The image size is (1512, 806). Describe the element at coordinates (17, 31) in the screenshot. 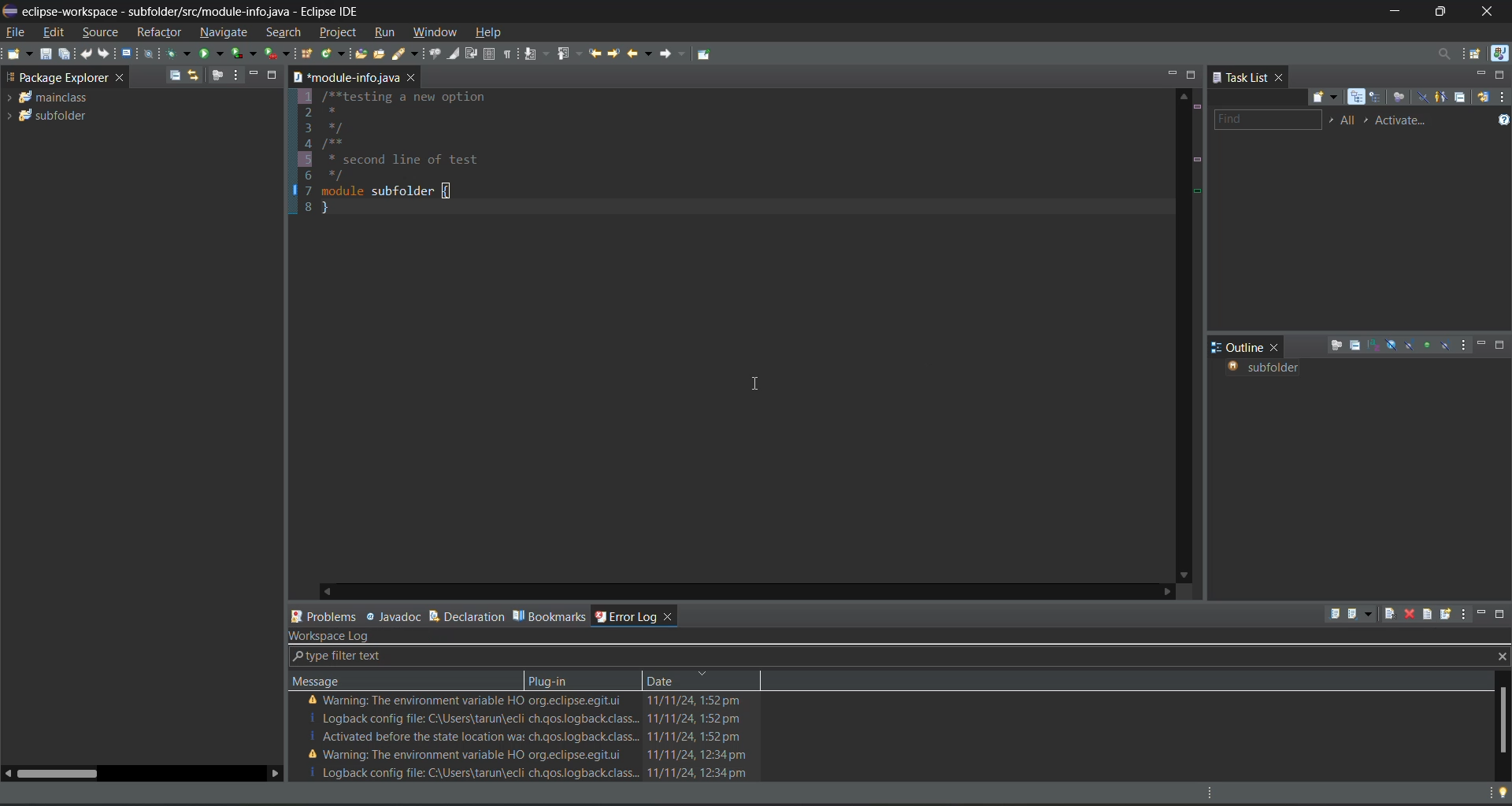

I see `file` at that location.